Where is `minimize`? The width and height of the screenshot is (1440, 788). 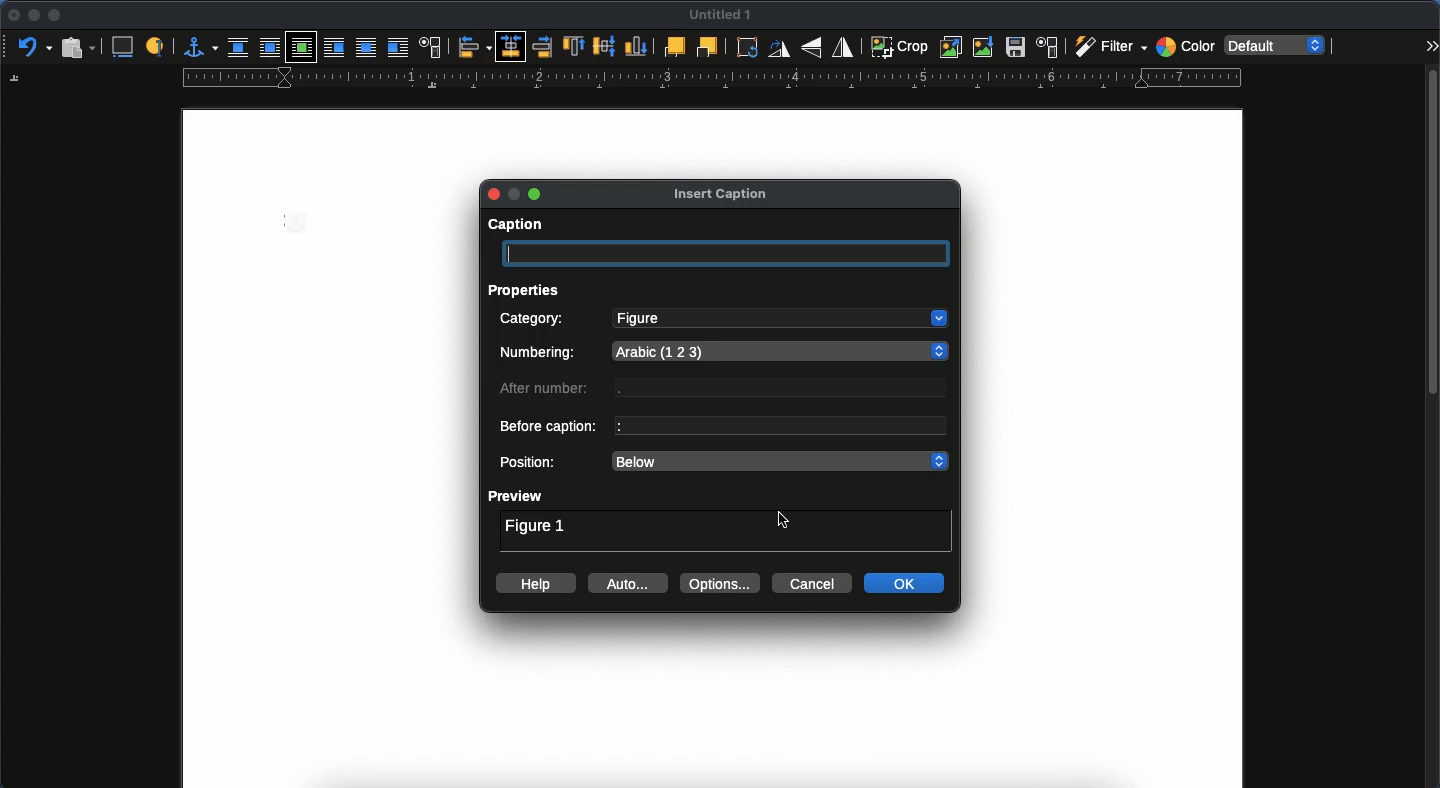 minimize is located at coordinates (31, 15).